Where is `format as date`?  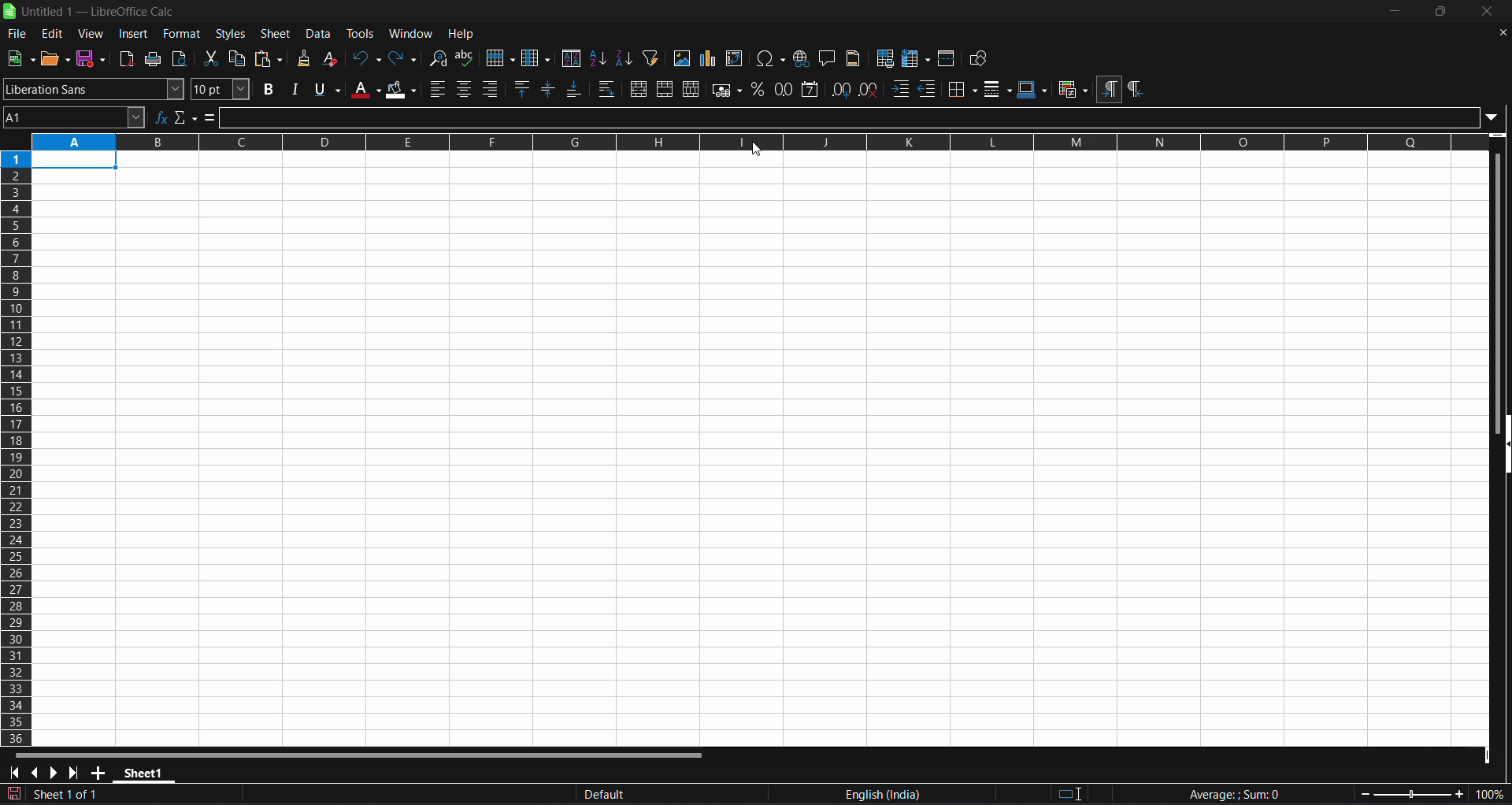 format as date is located at coordinates (812, 91).